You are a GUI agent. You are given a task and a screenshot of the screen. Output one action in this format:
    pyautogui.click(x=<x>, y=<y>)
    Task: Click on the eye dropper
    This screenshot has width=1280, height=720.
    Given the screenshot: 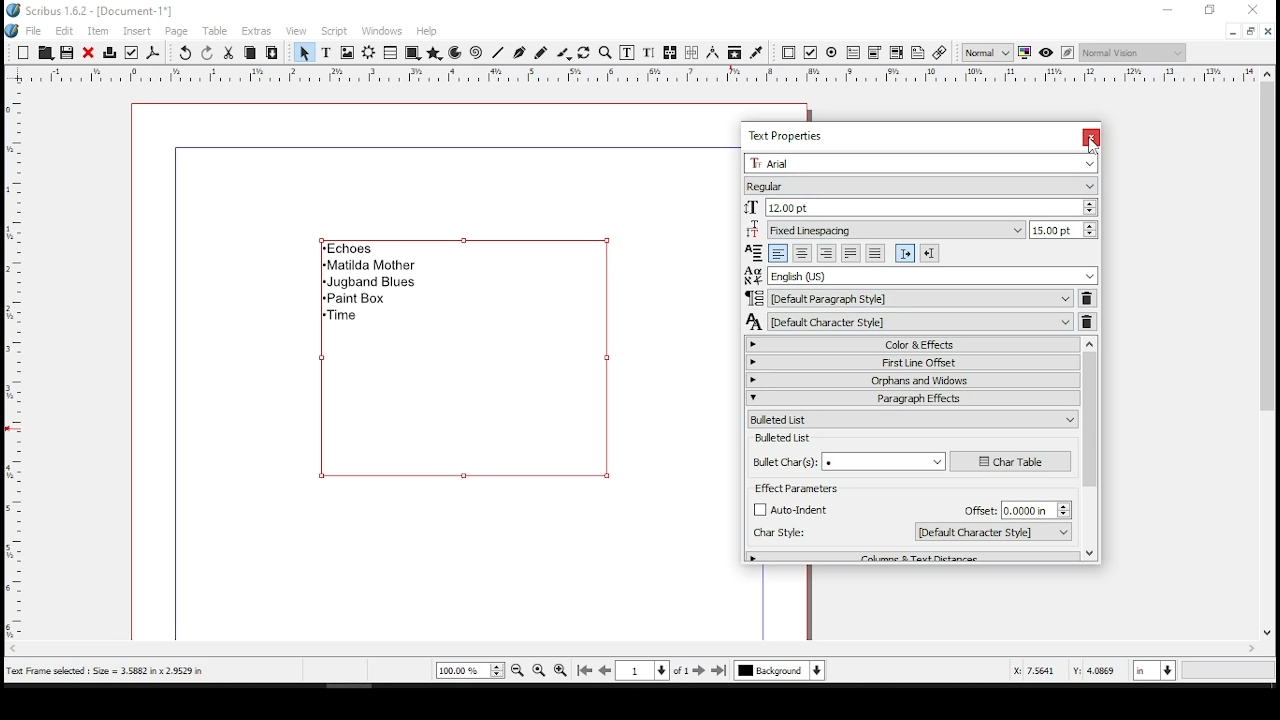 What is the action you would take?
    pyautogui.click(x=756, y=52)
    